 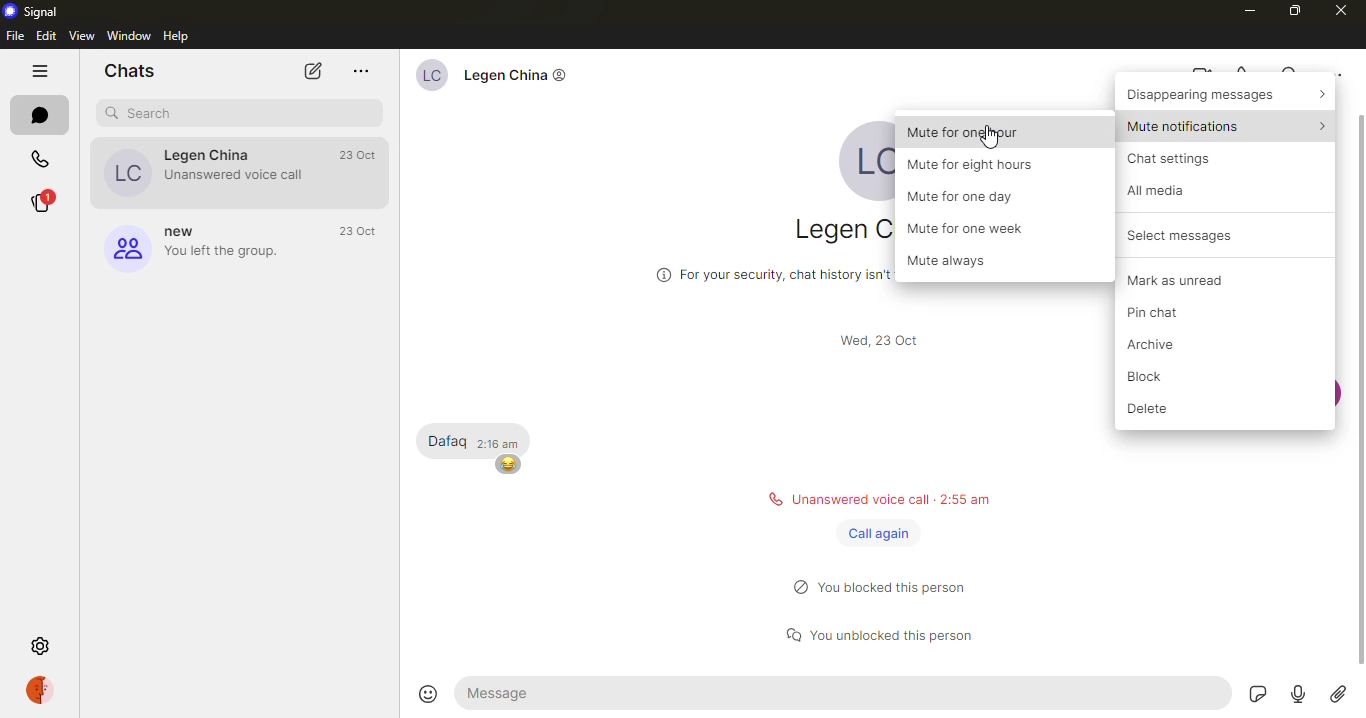 I want to click on pin chat, so click(x=1170, y=315).